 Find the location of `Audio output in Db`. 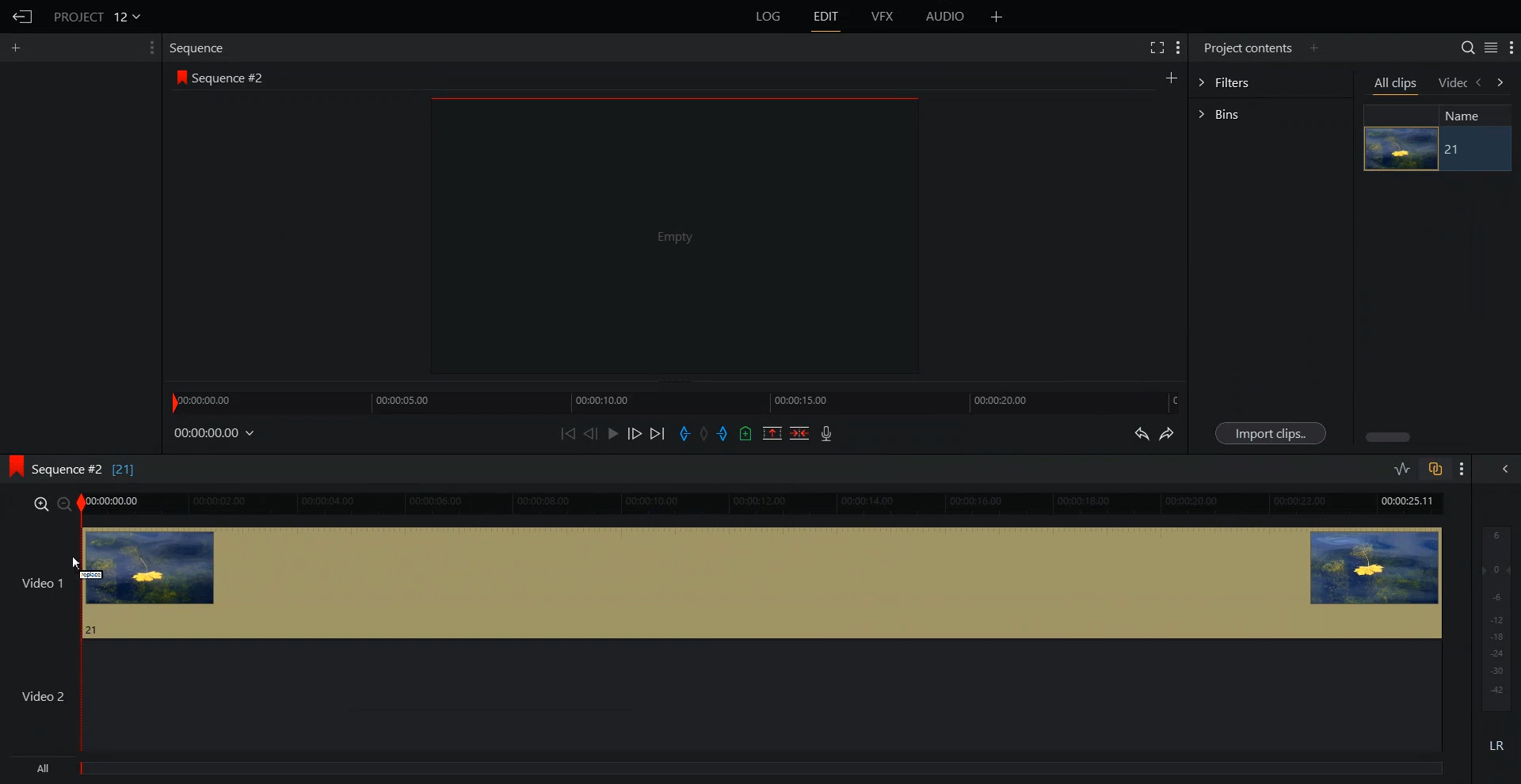

Audio output in Db is located at coordinates (1496, 617).